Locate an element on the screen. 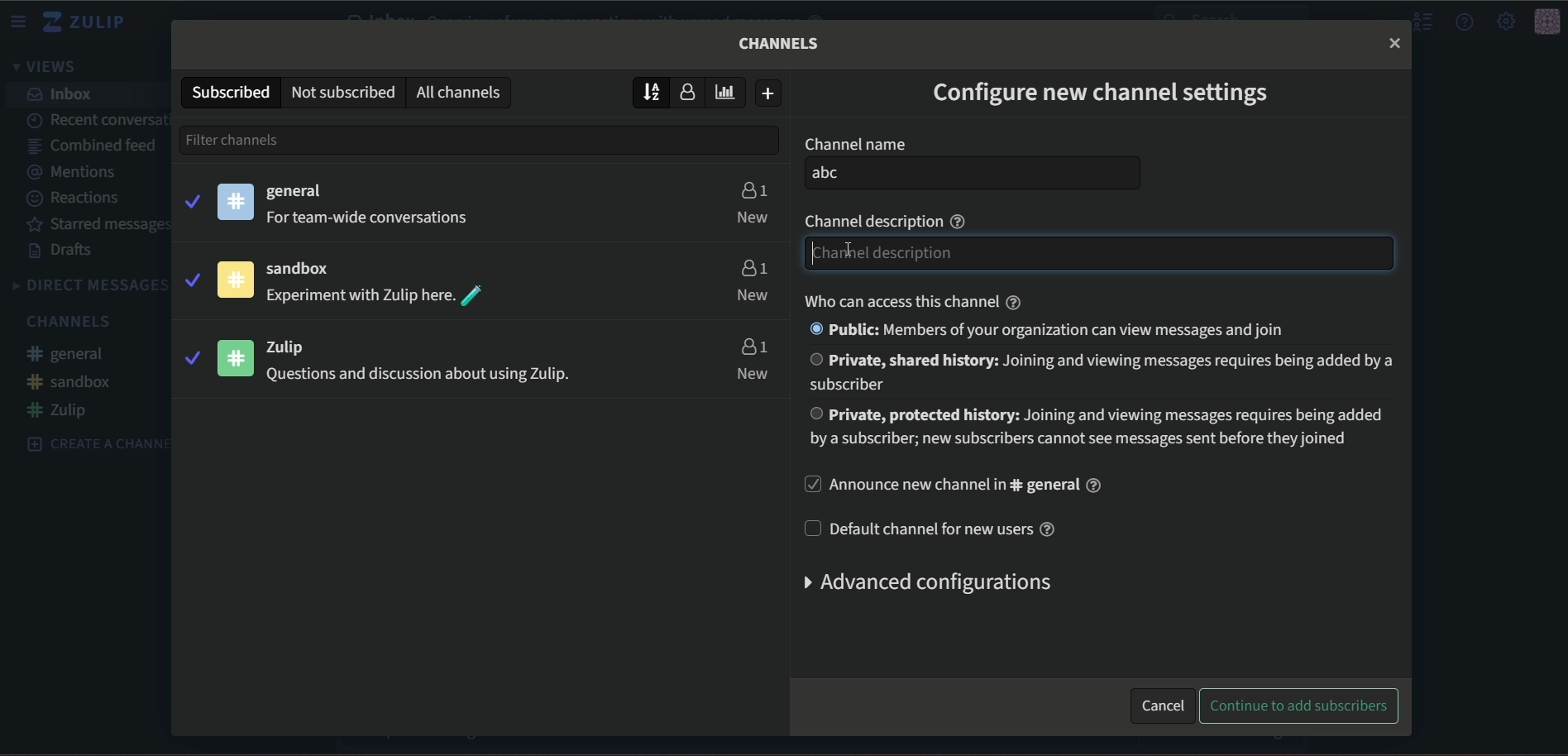 This screenshot has height=756, width=1568. channels is located at coordinates (462, 92).